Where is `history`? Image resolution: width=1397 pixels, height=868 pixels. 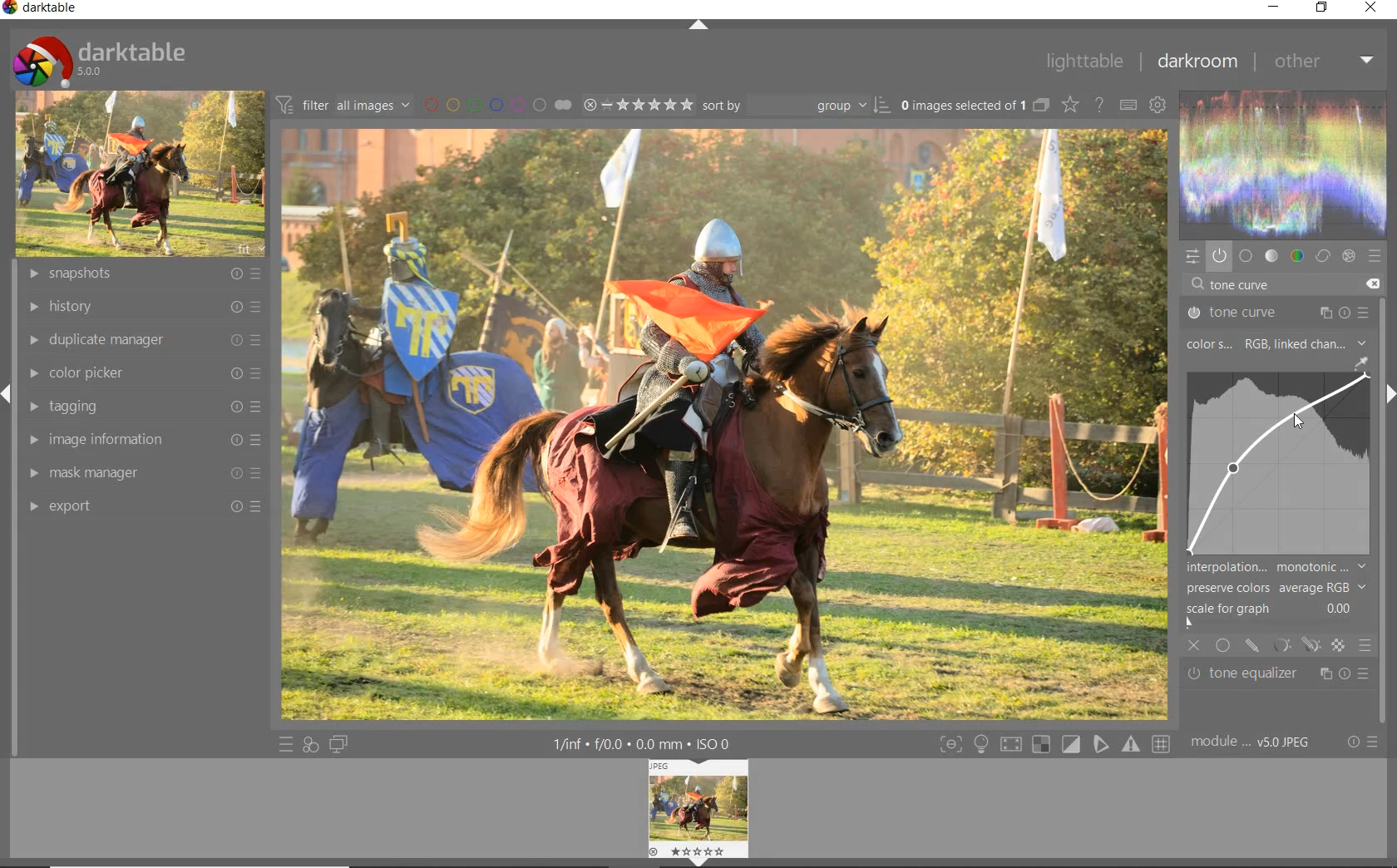 history is located at coordinates (142, 308).